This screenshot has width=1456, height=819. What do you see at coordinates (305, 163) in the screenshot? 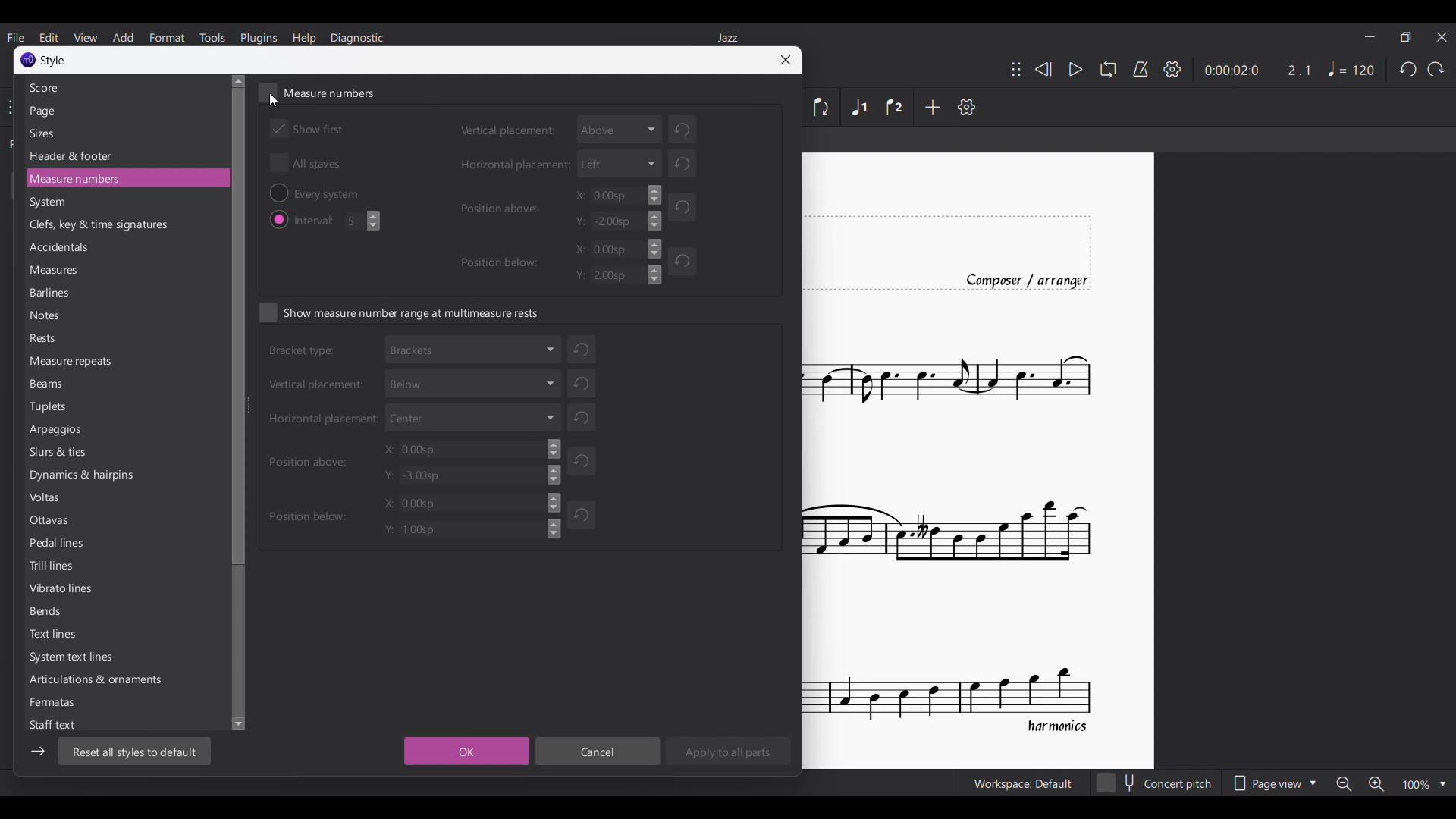
I see `Toggle all staves` at bounding box center [305, 163].